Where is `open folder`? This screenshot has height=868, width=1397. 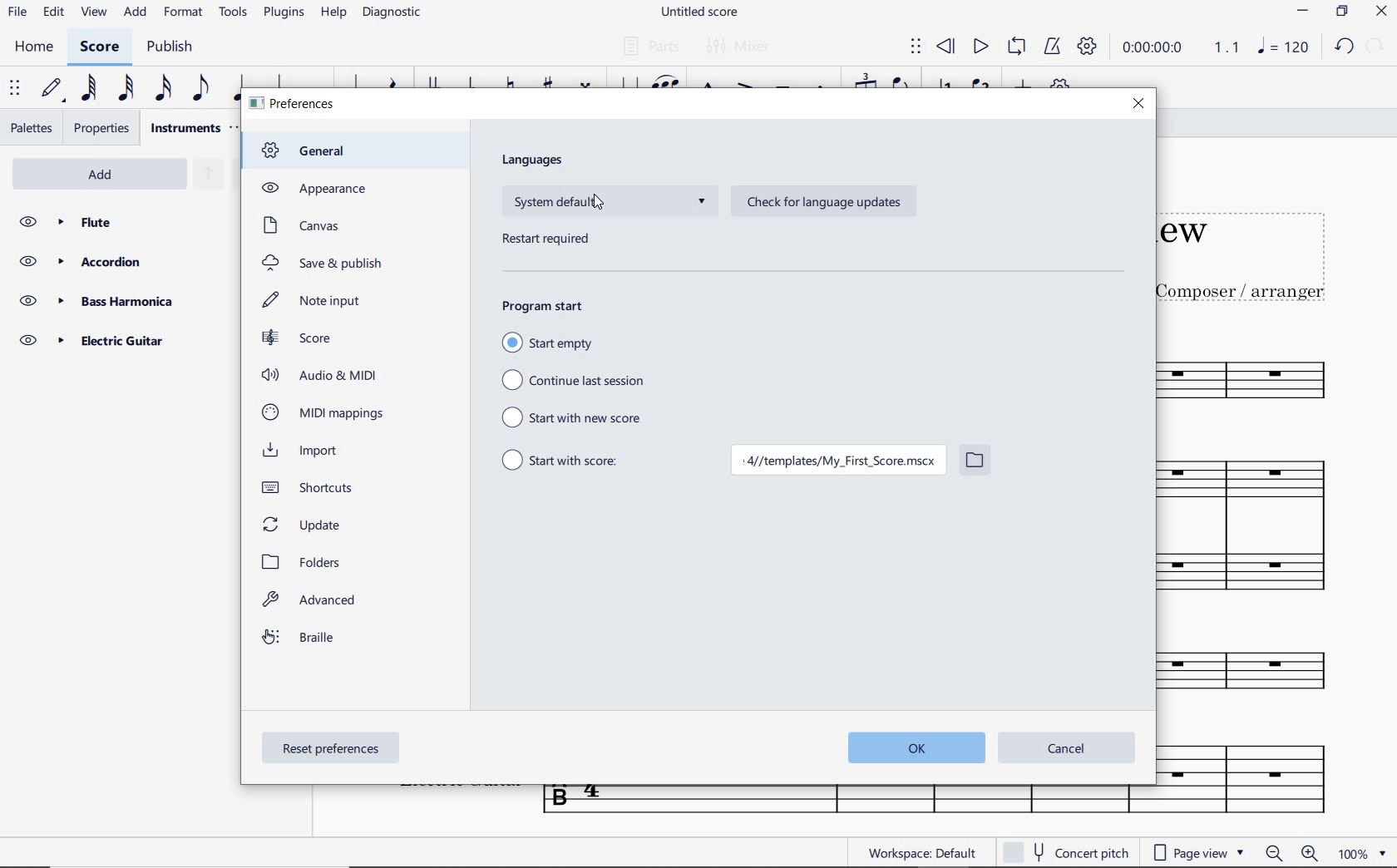 open folder is located at coordinates (975, 462).